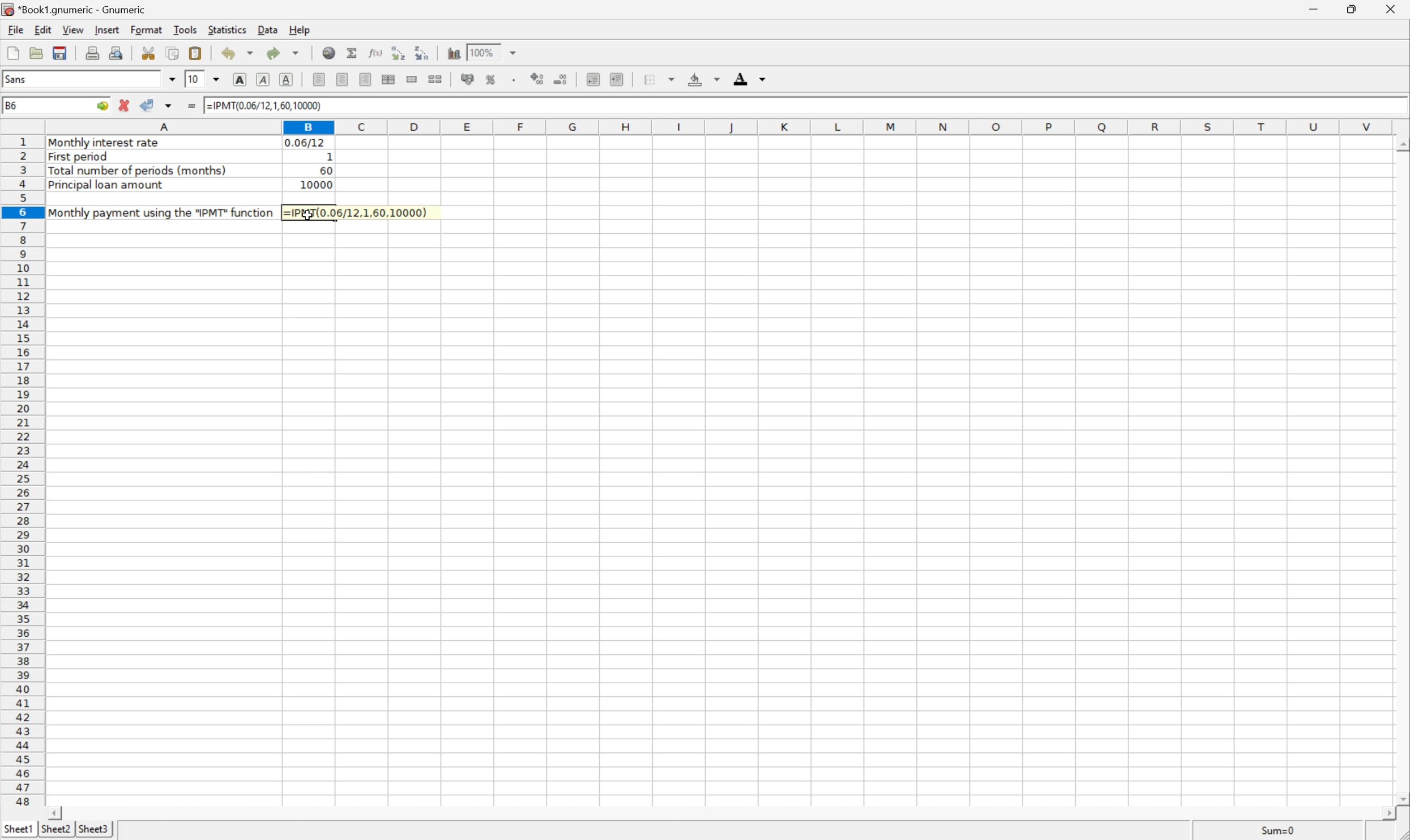  What do you see at coordinates (437, 80) in the screenshot?
I see `Split the ranges of merged cells` at bounding box center [437, 80].